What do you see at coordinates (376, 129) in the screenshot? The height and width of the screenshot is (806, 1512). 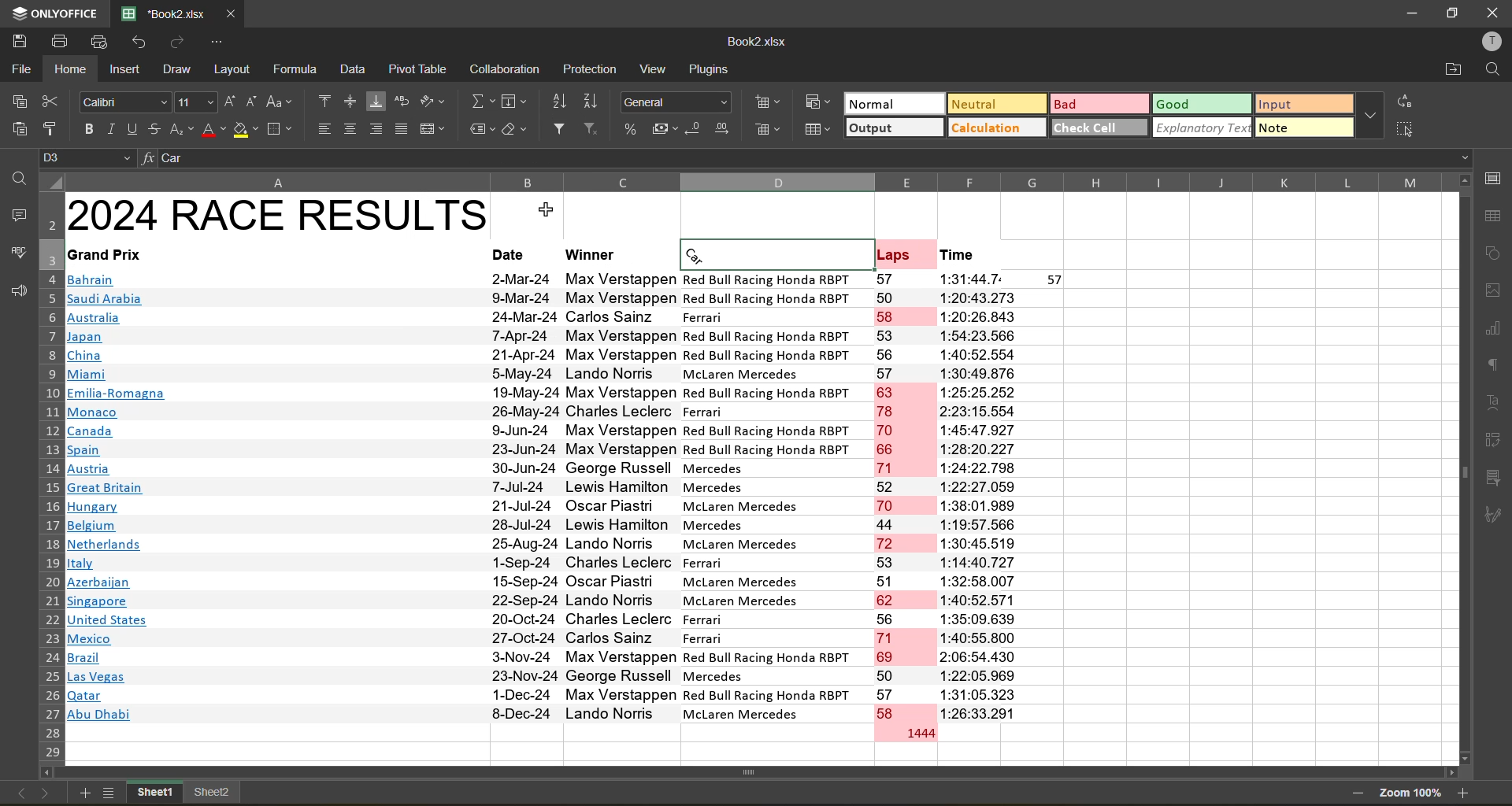 I see `align right` at bounding box center [376, 129].